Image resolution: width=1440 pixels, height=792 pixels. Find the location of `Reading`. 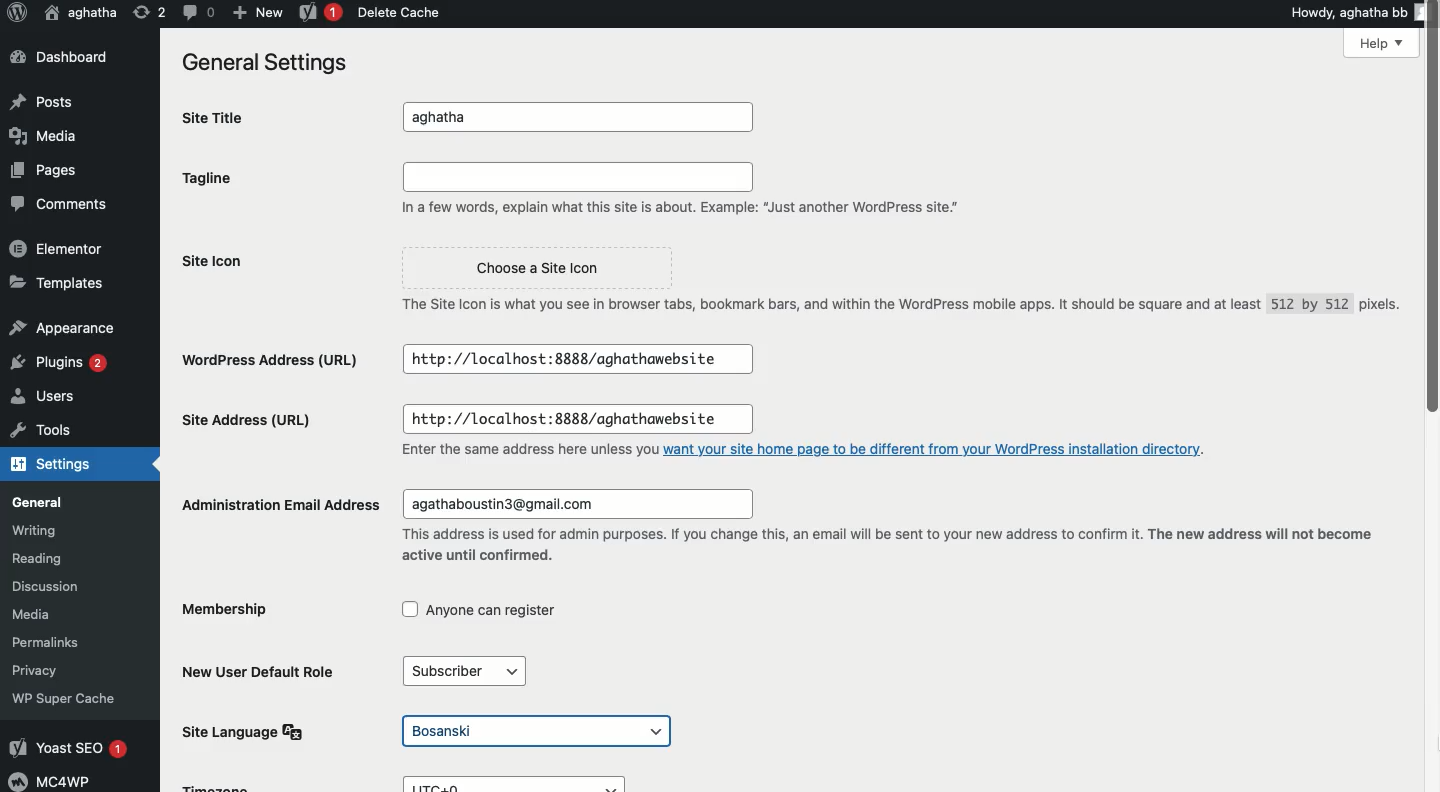

Reading is located at coordinates (58, 559).